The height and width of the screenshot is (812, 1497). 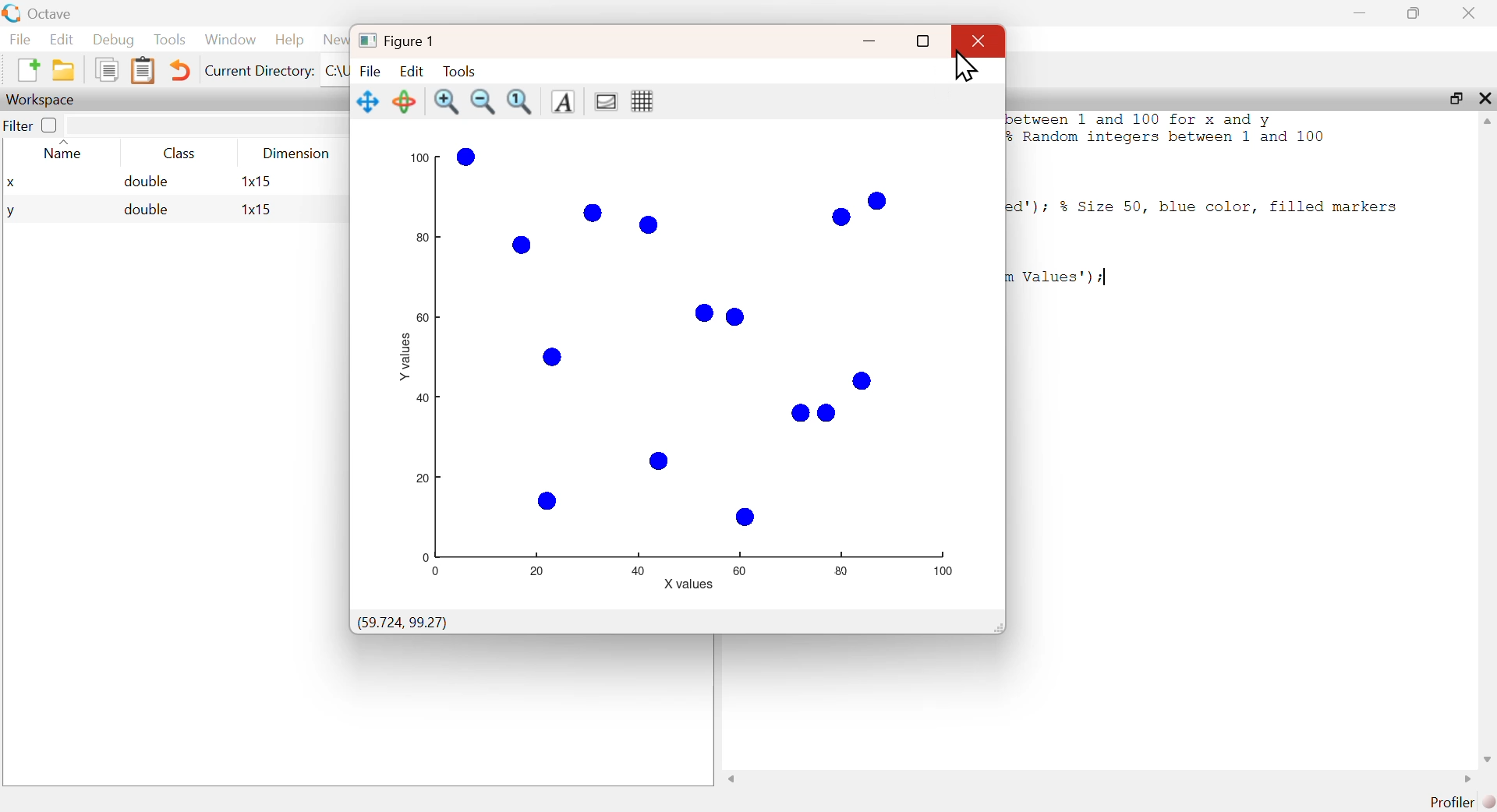 What do you see at coordinates (1454, 97) in the screenshot?
I see `maximize` at bounding box center [1454, 97].